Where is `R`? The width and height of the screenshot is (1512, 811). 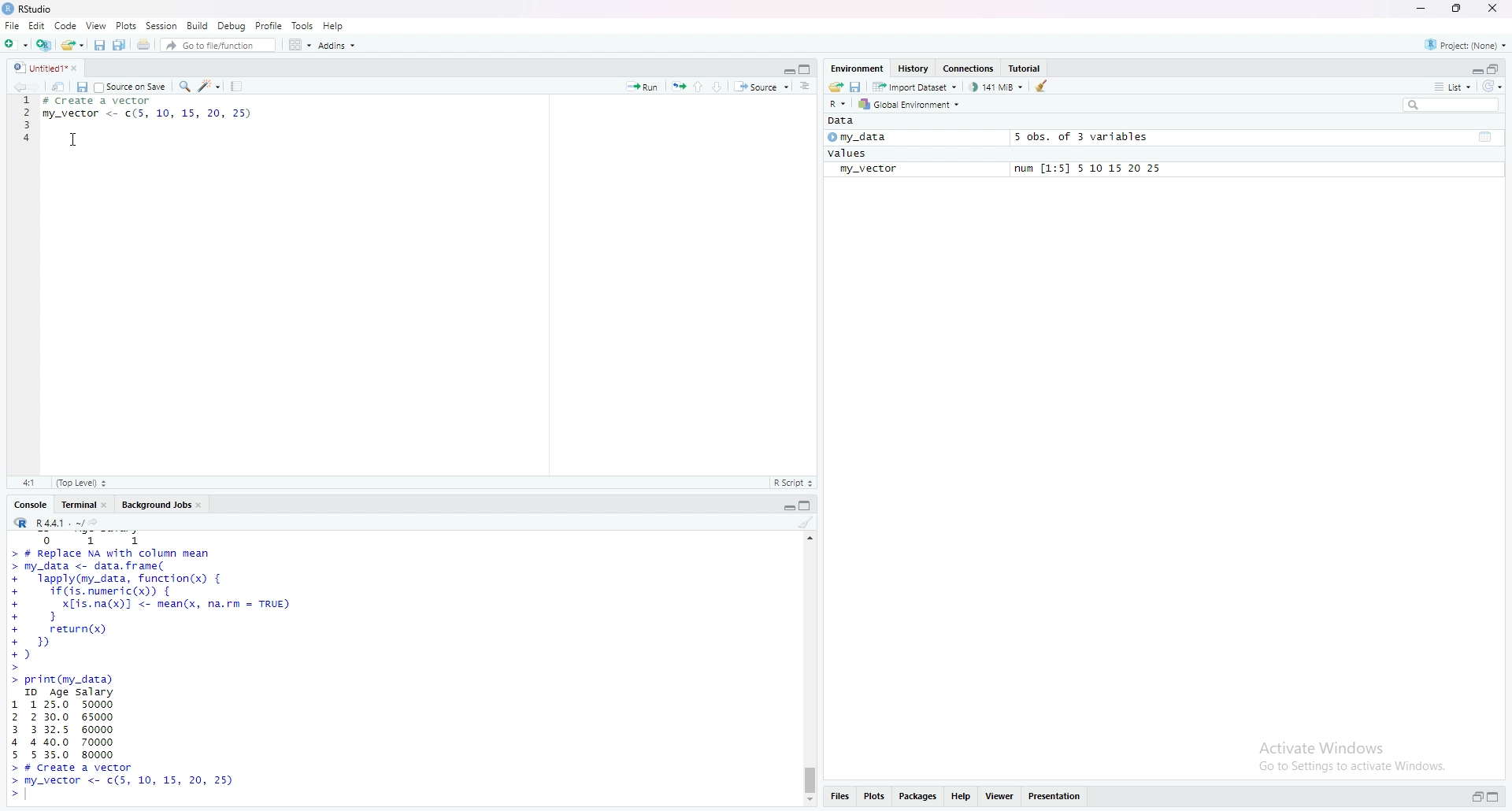 R is located at coordinates (837, 104).